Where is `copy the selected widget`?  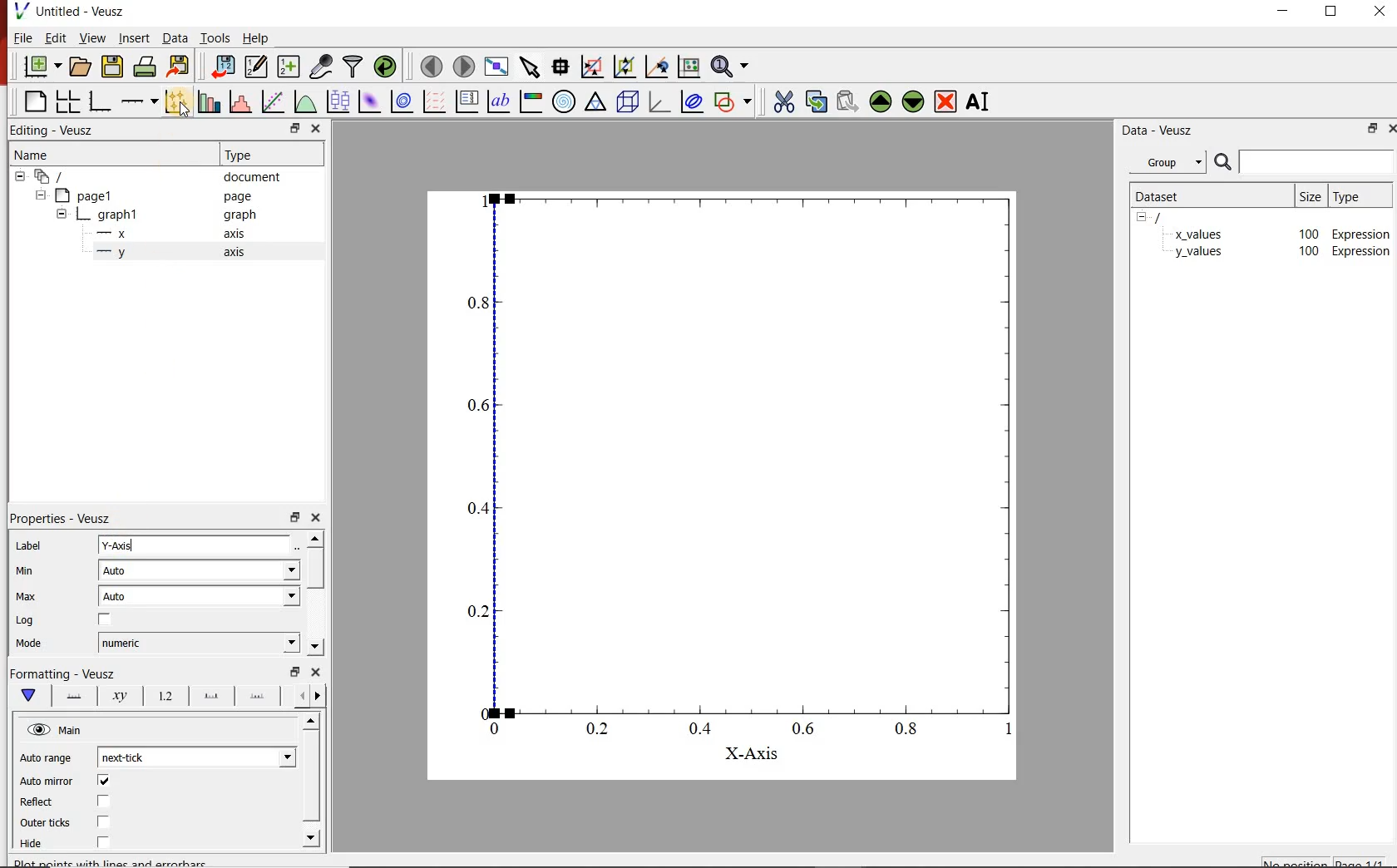 copy the selected widget is located at coordinates (815, 102).